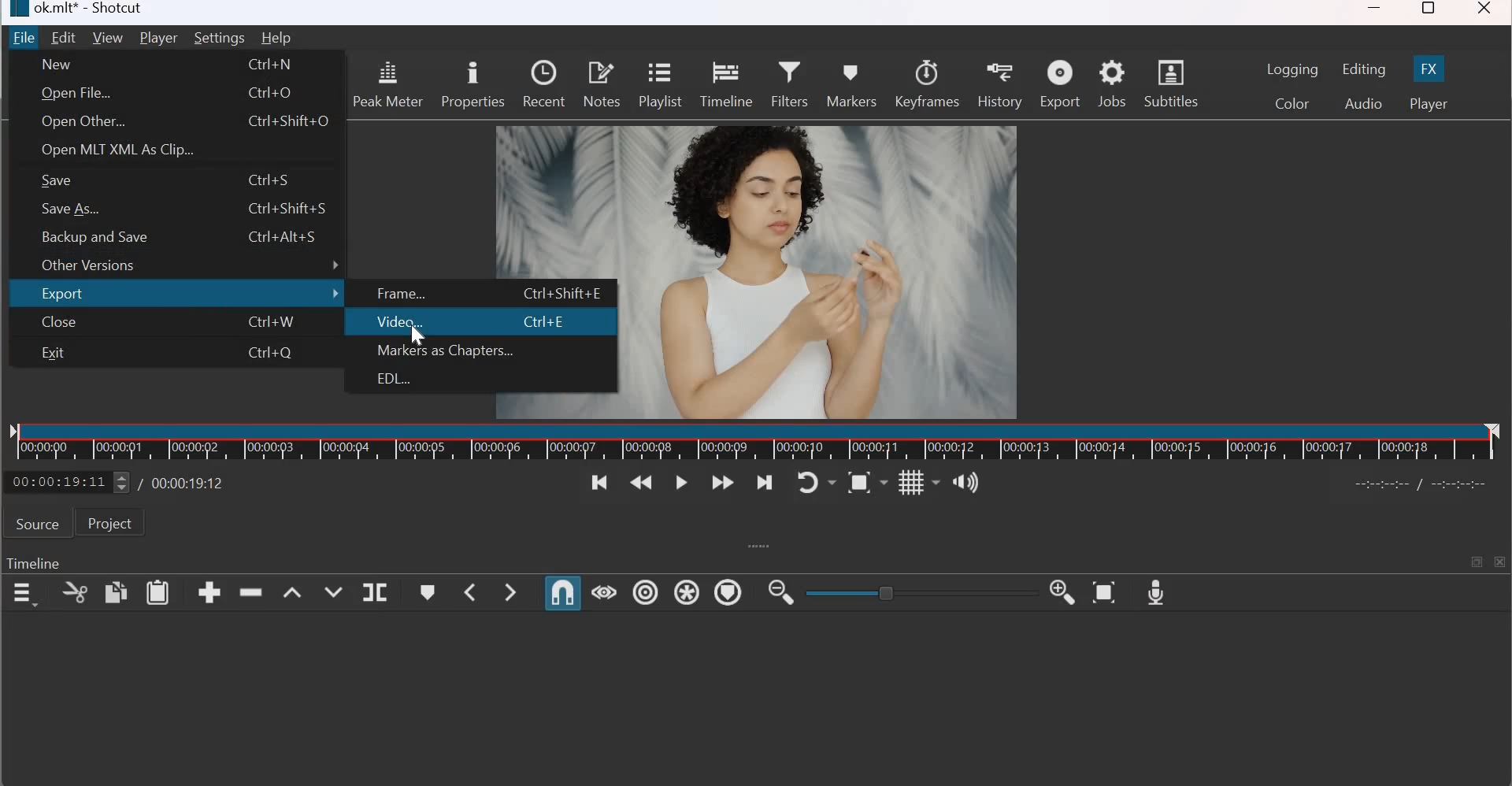  I want to click on FX, so click(1429, 68).